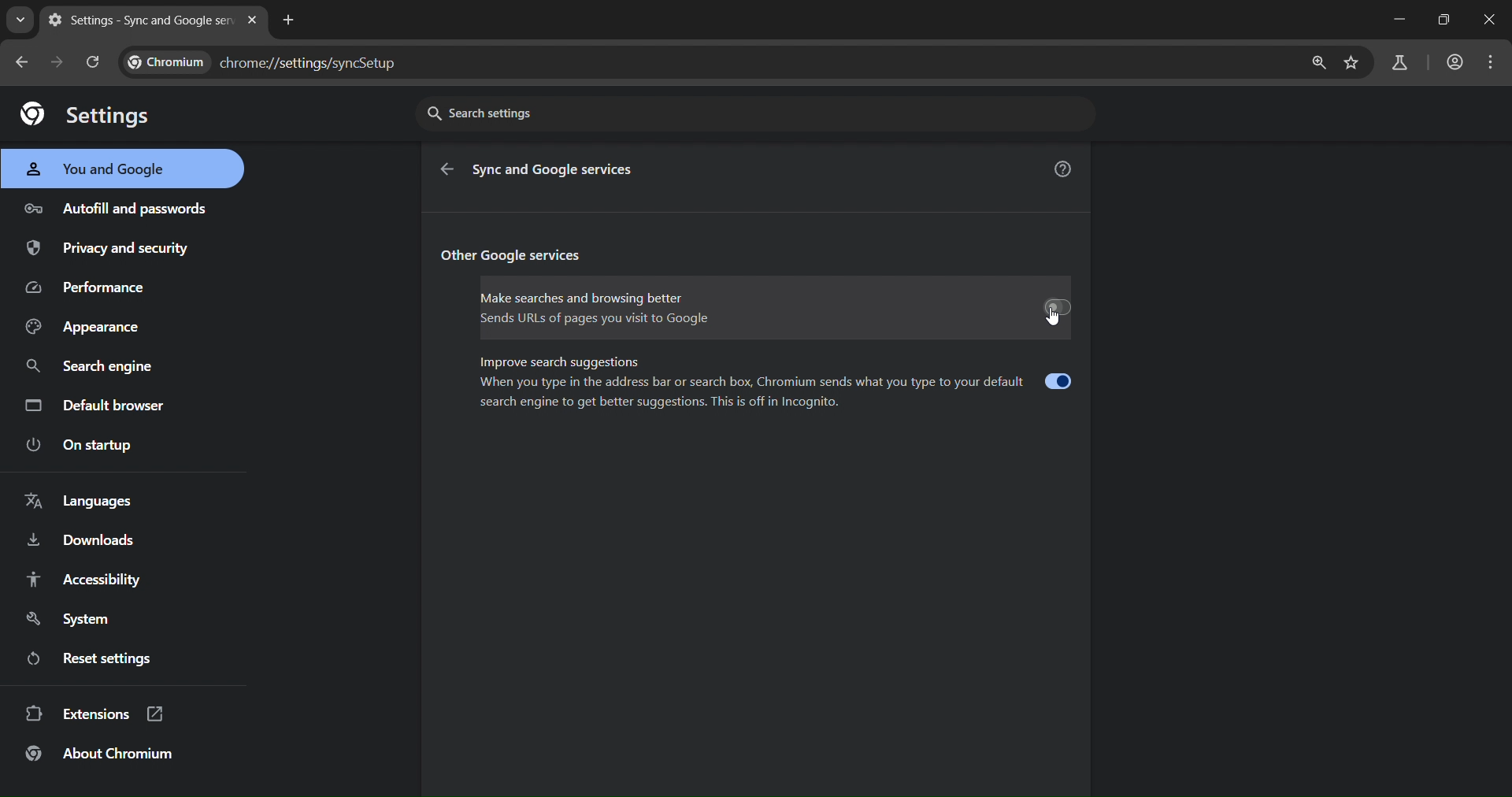  Describe the element at coordinates (450, 172) in the screenshot. I see `go back` at that location.